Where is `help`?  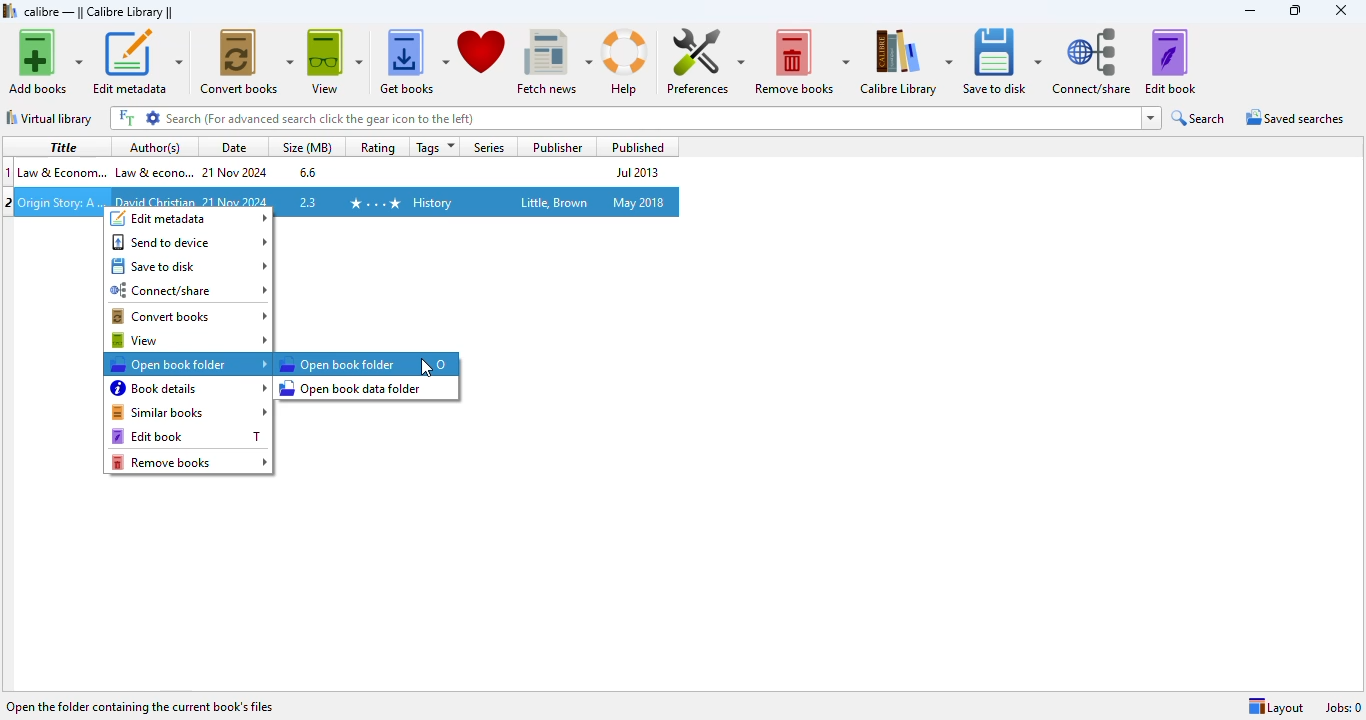 help is located at coordinates (625, 62).